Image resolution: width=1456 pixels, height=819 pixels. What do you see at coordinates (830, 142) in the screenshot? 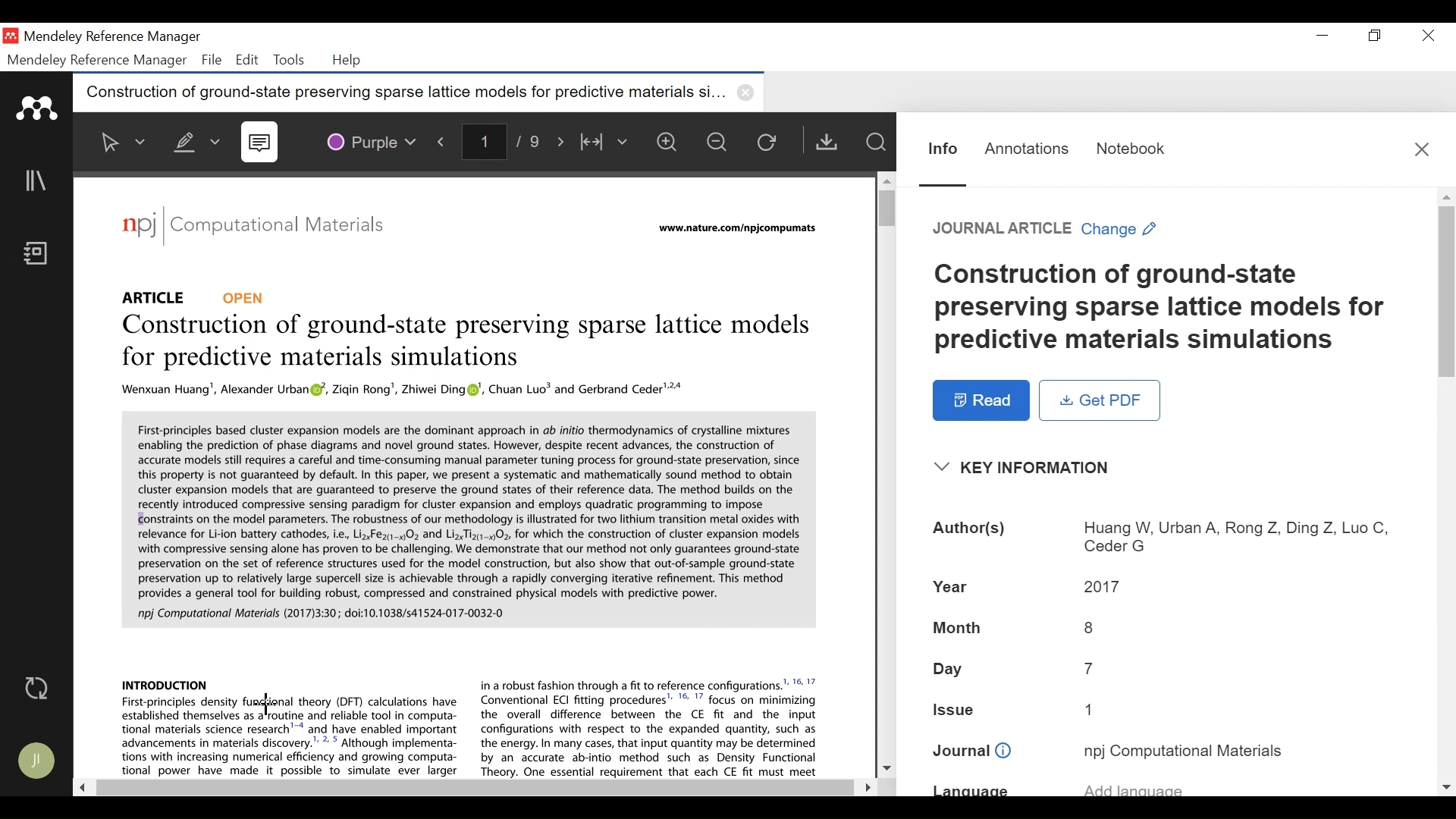
I see `Get PDF` at bounding box center [830, 142].